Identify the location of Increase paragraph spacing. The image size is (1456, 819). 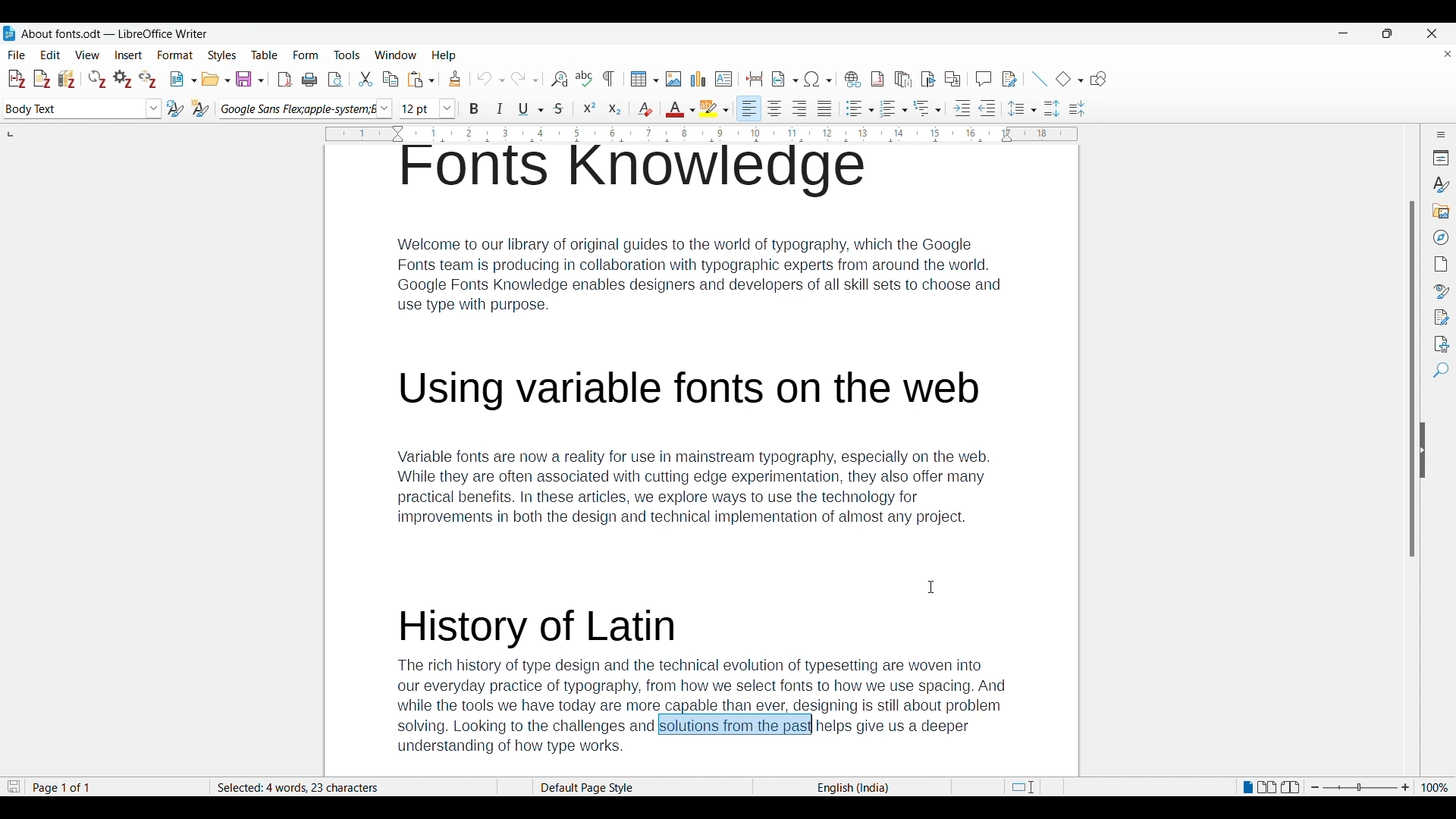
(1053, 108).